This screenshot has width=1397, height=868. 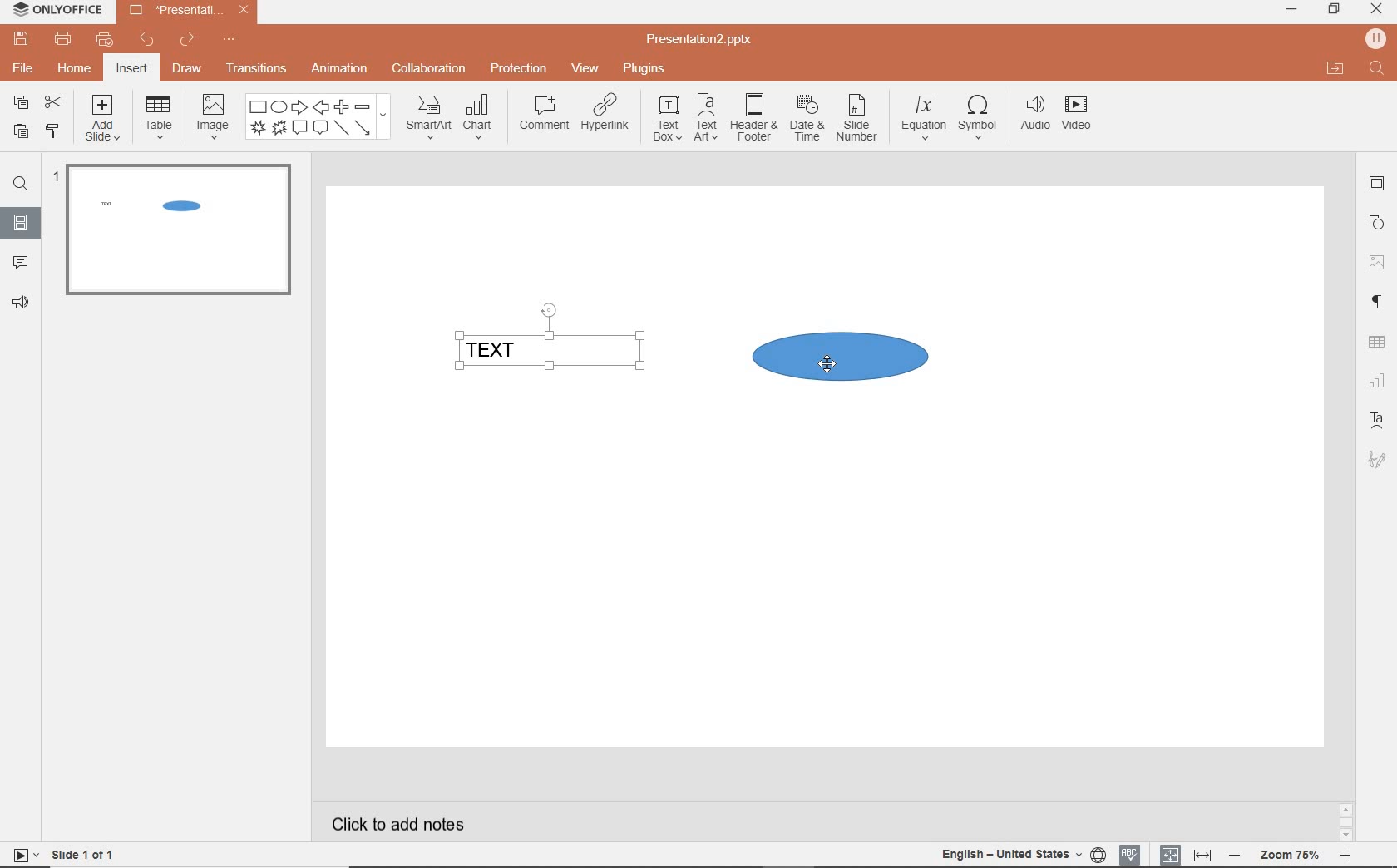 What do you see at coordinates (141, 41) in the screenshot?
I see `undo` at bounding box center [141, 41].